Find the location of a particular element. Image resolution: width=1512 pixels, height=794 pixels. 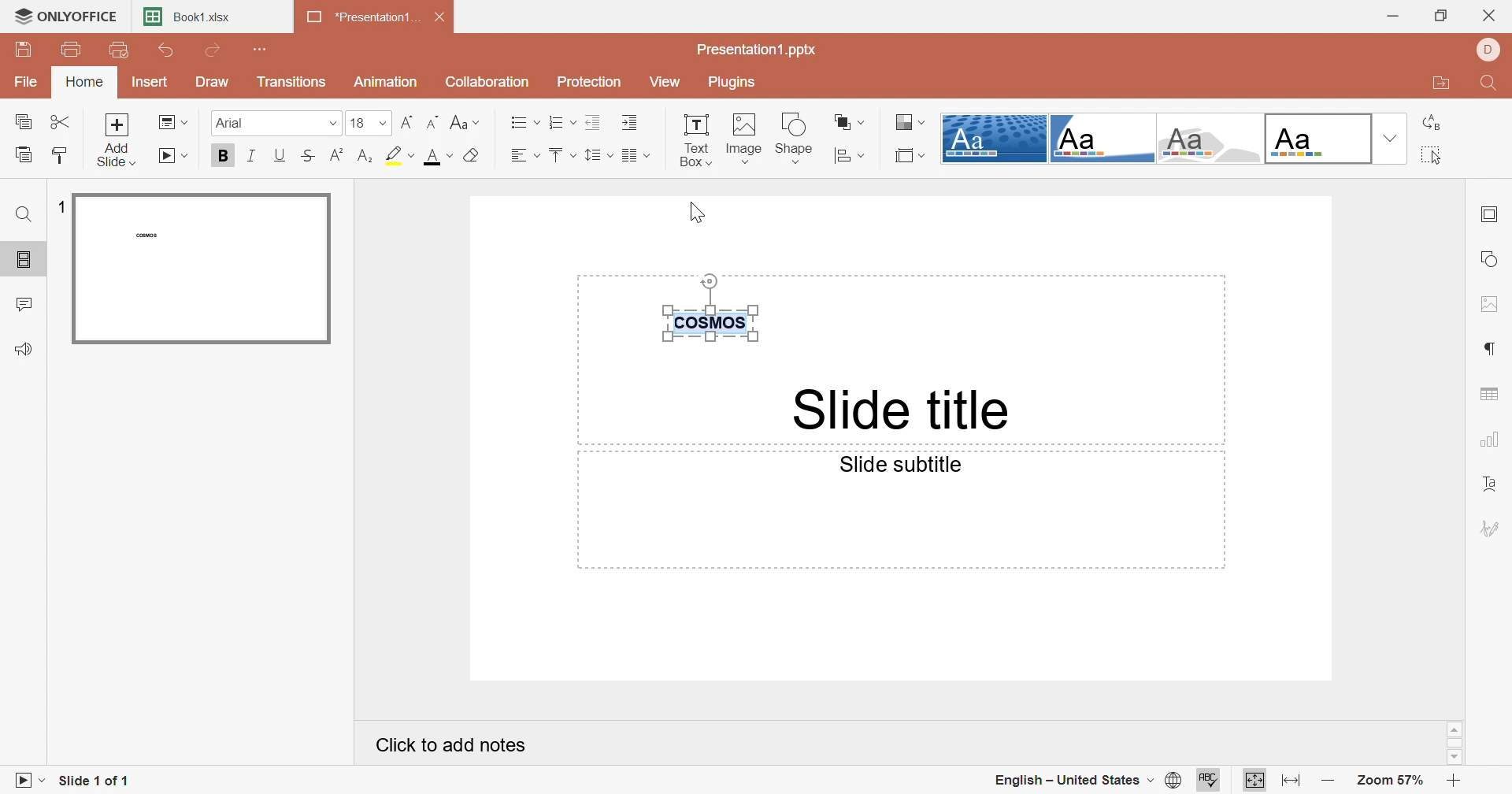

File is located at coordinates (27, 82).